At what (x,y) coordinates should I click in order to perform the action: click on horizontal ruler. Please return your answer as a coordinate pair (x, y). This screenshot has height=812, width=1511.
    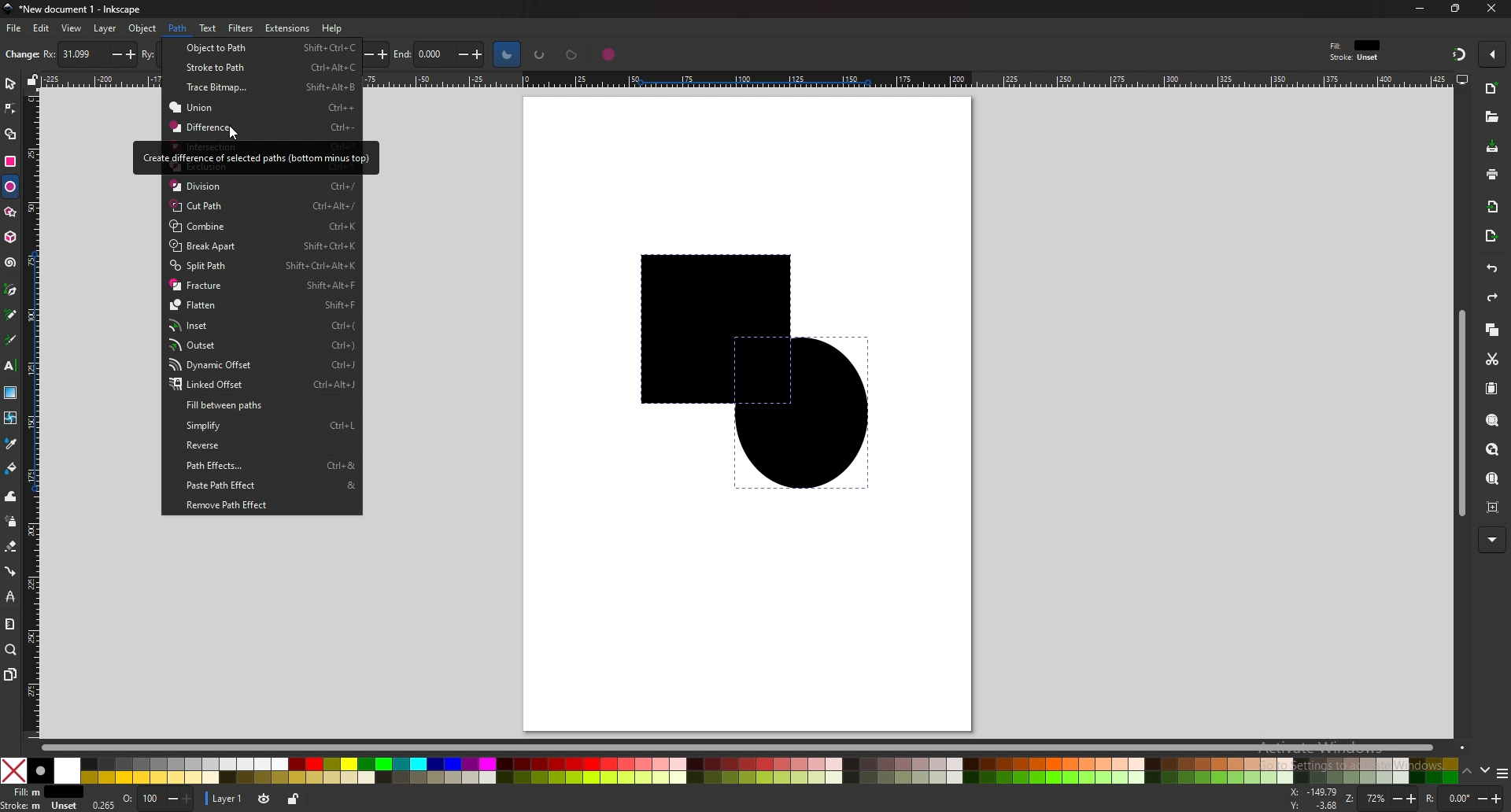
    Looking at the image, I should click on (903, 79).